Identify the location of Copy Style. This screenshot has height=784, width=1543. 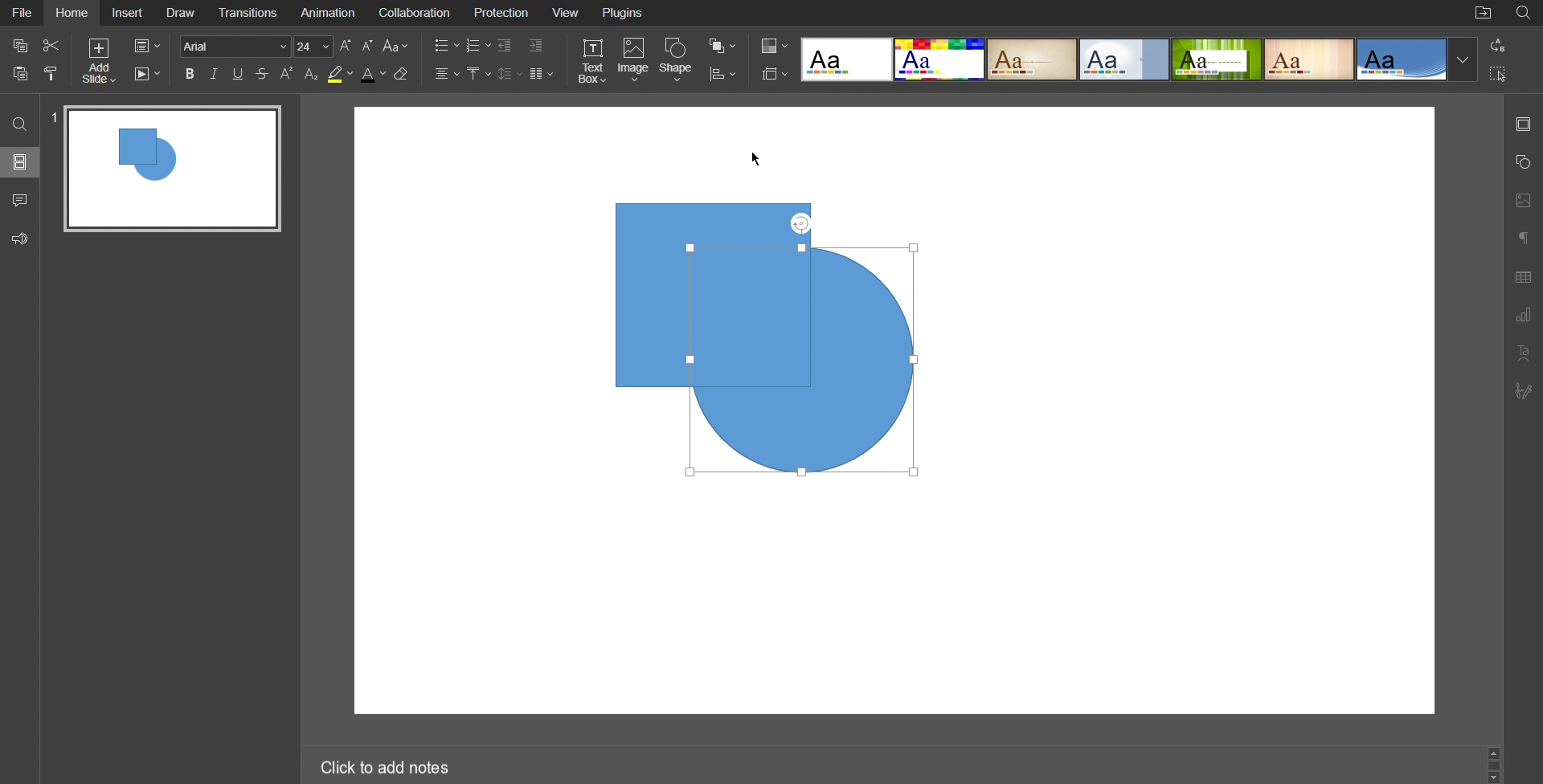
(51, 75).